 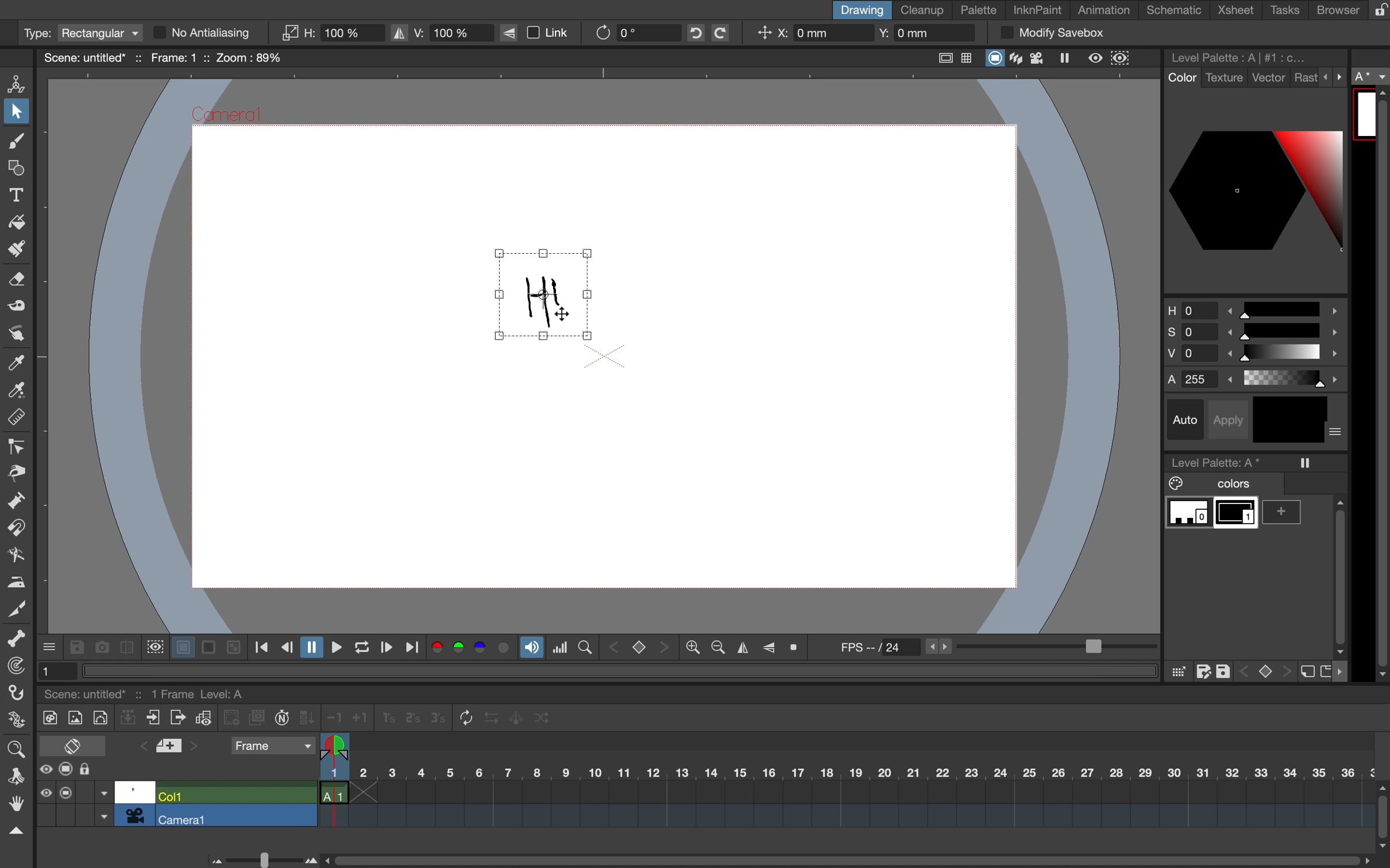 What do you see at coordinates (798, 648) in the screenshot?
I see `reset view` at bounding box center [798, 648].